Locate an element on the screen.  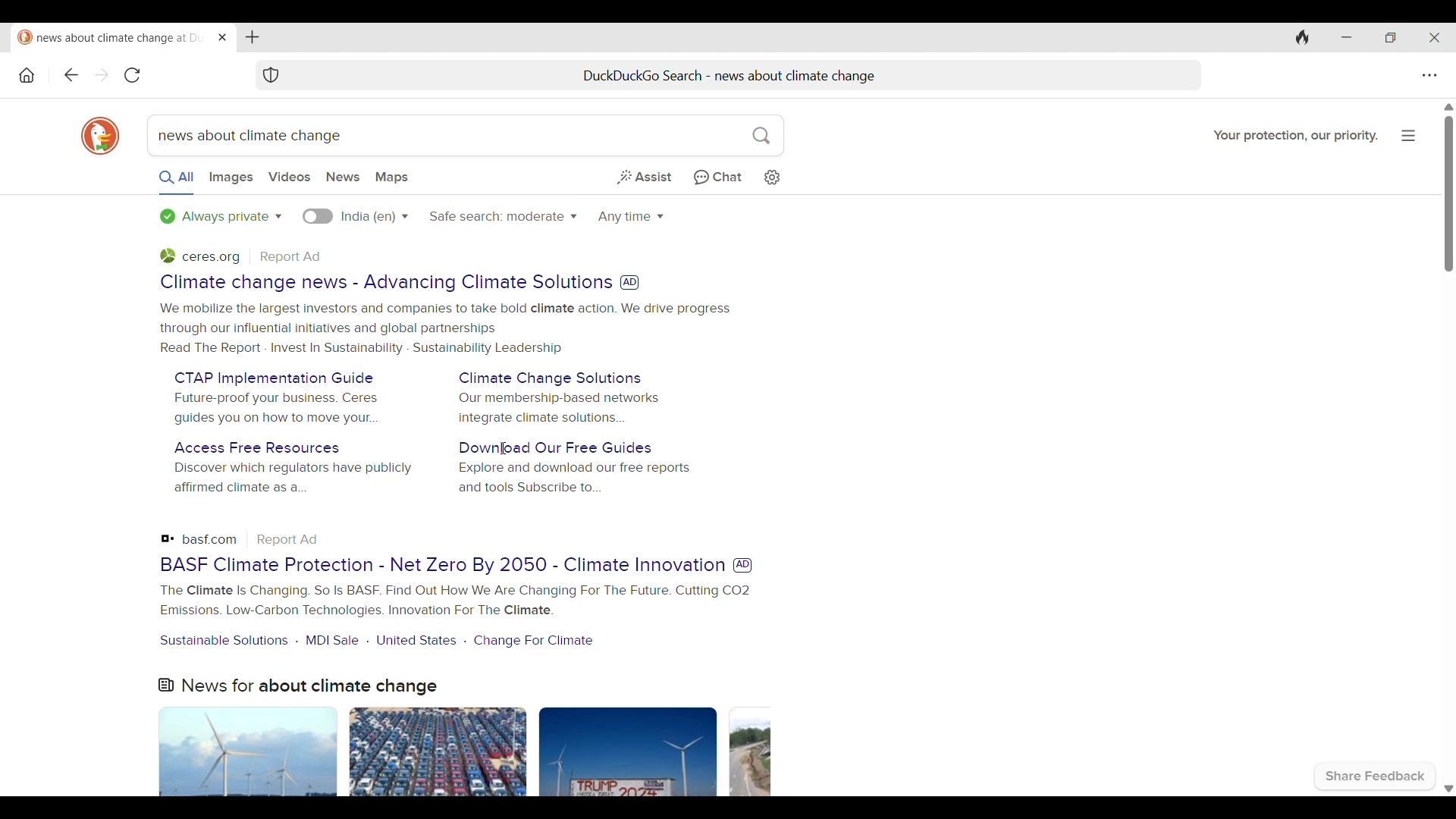
Scroll up is located at coordinates (1447, 105).